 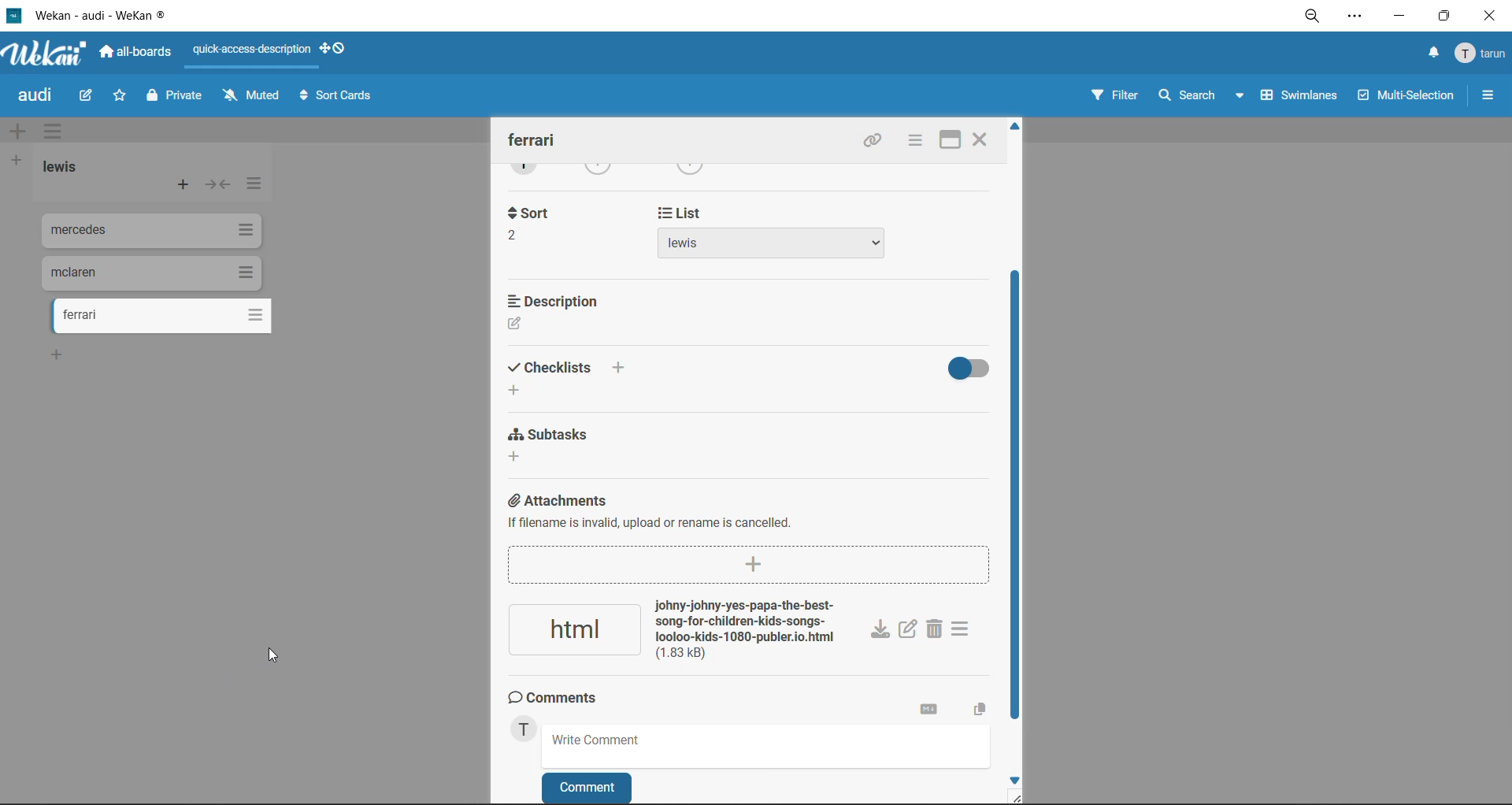 What do you see at coordinates (770, 239) in the screenshot?
I see `list` at bounding box center [770, 239].